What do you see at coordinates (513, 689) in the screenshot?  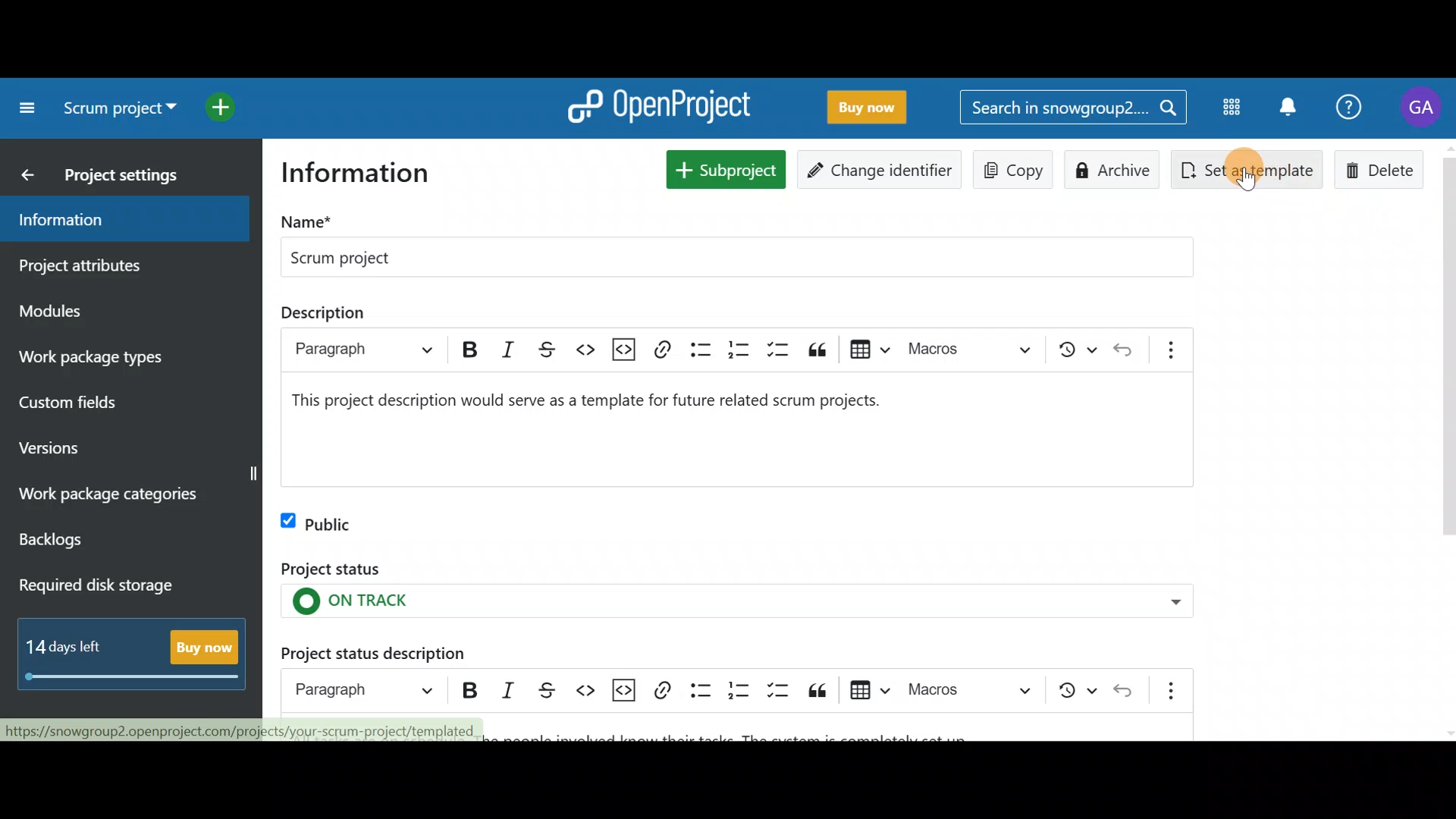 I see `Italic` at bounding box center [513, 689].